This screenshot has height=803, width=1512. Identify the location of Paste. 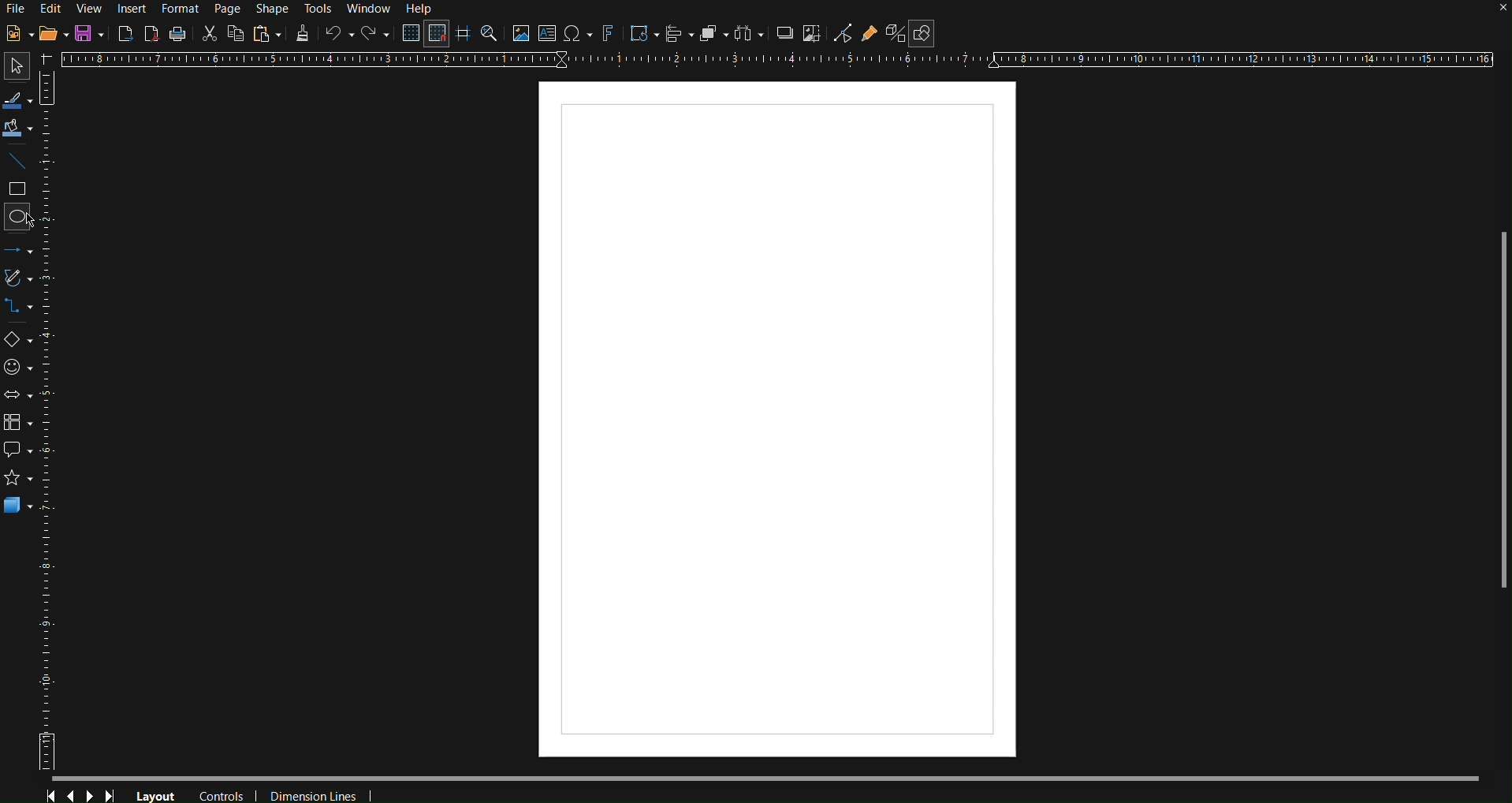
(266, 34).